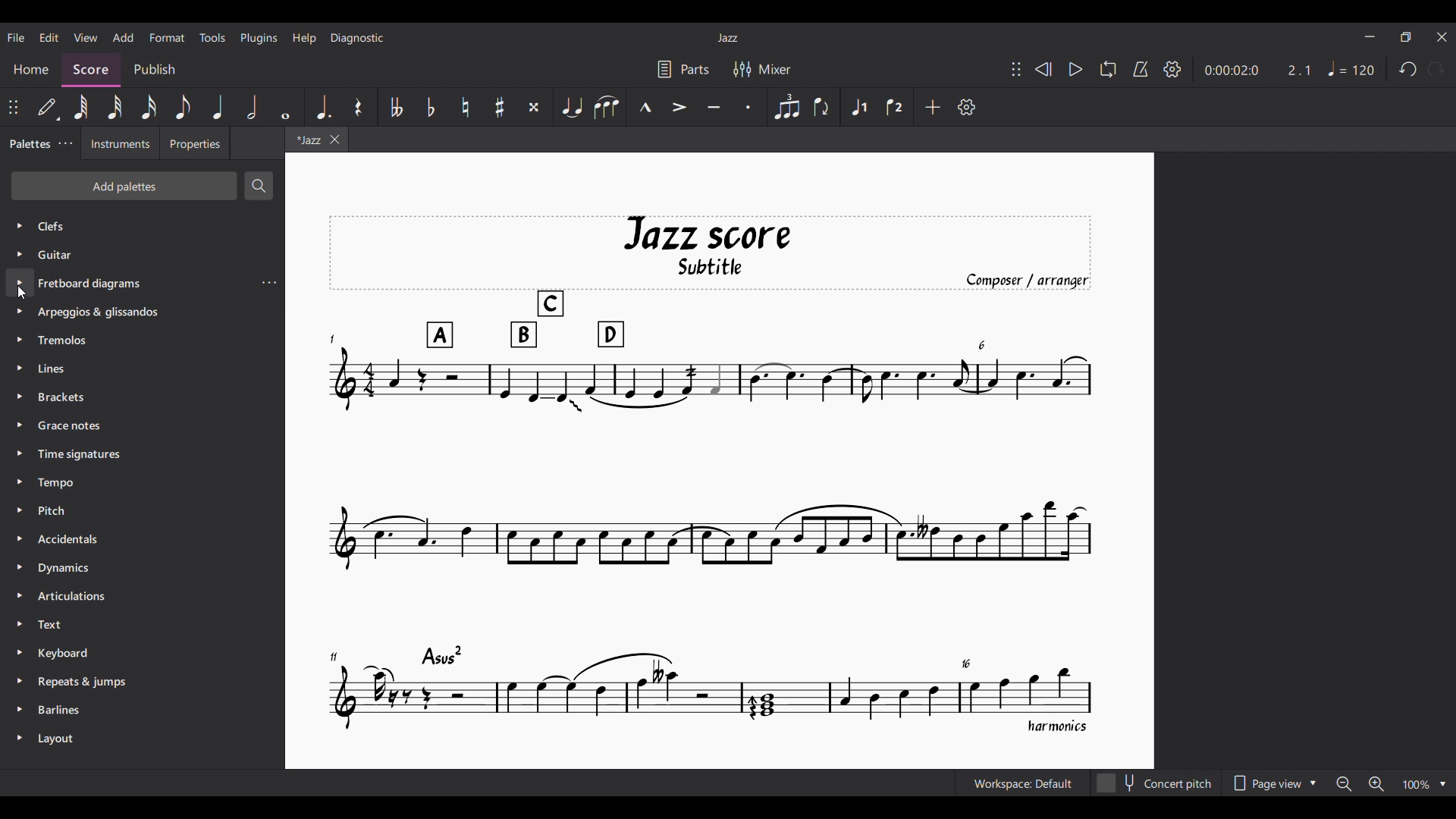  Describe the element at coordinates (58, 485) in the screenshot. I see `Tempo` at that location.